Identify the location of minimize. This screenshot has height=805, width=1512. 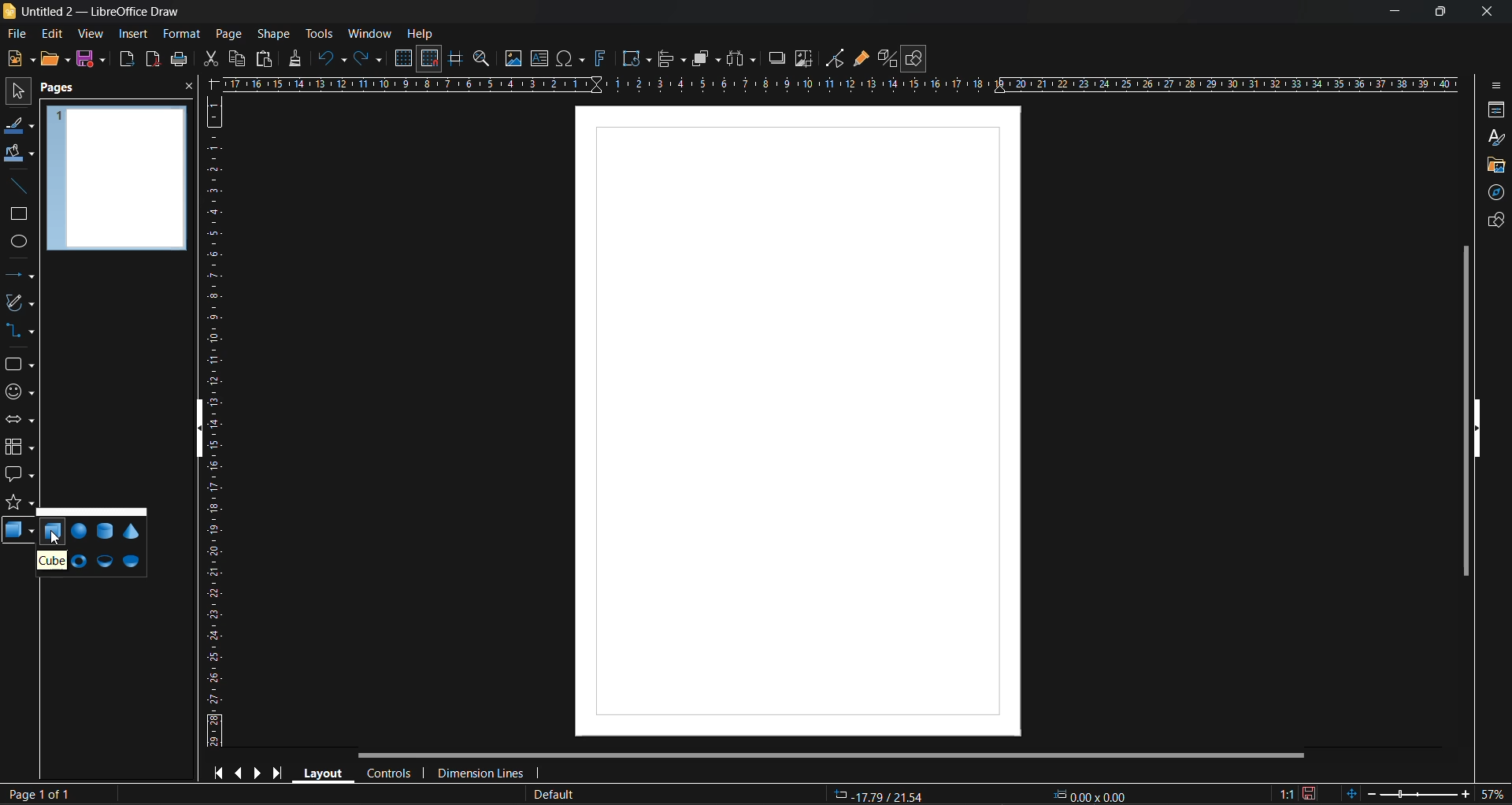
(1388, 12).